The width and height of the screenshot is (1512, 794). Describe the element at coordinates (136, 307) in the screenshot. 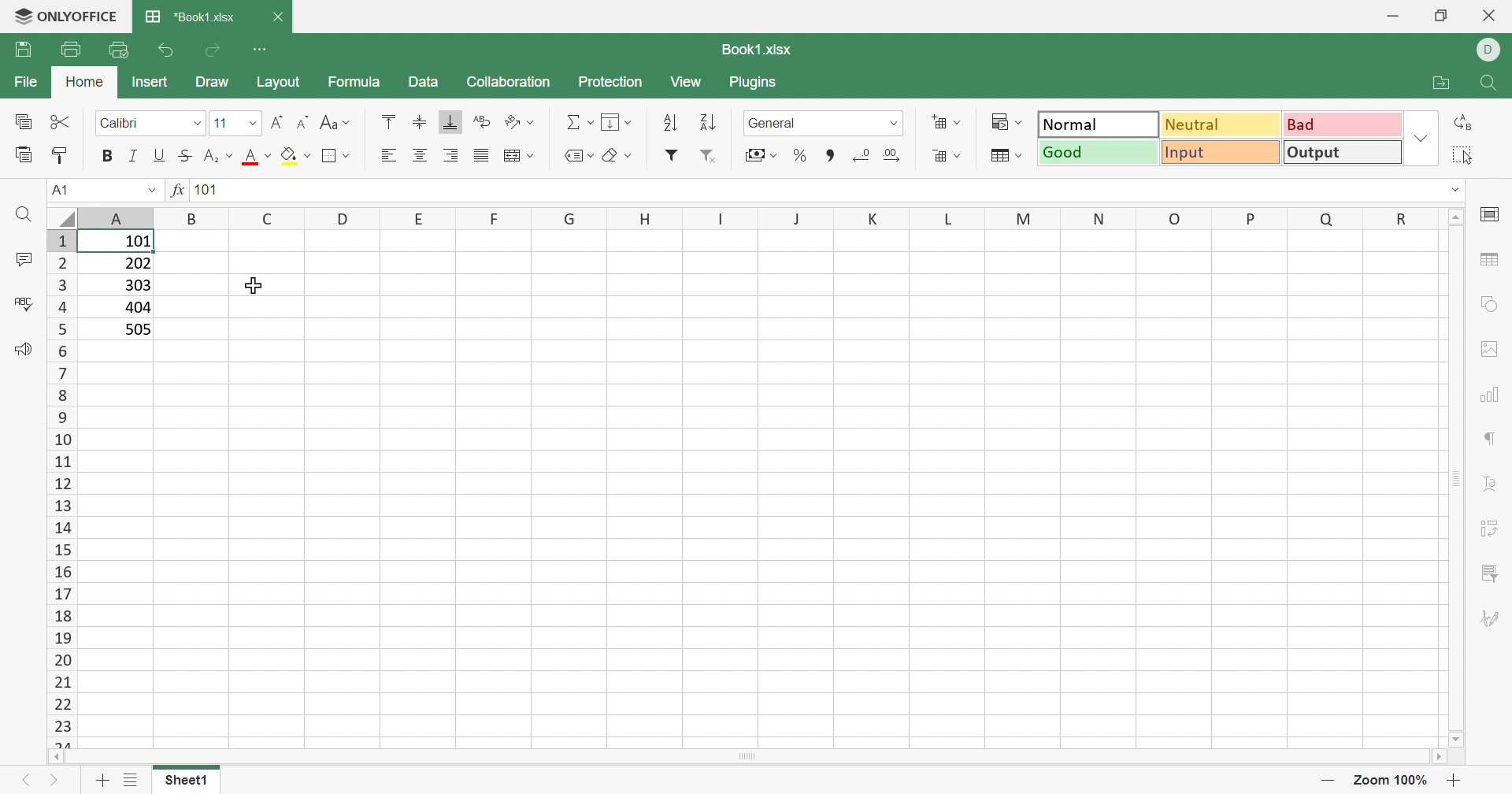

I see `404` at that location.